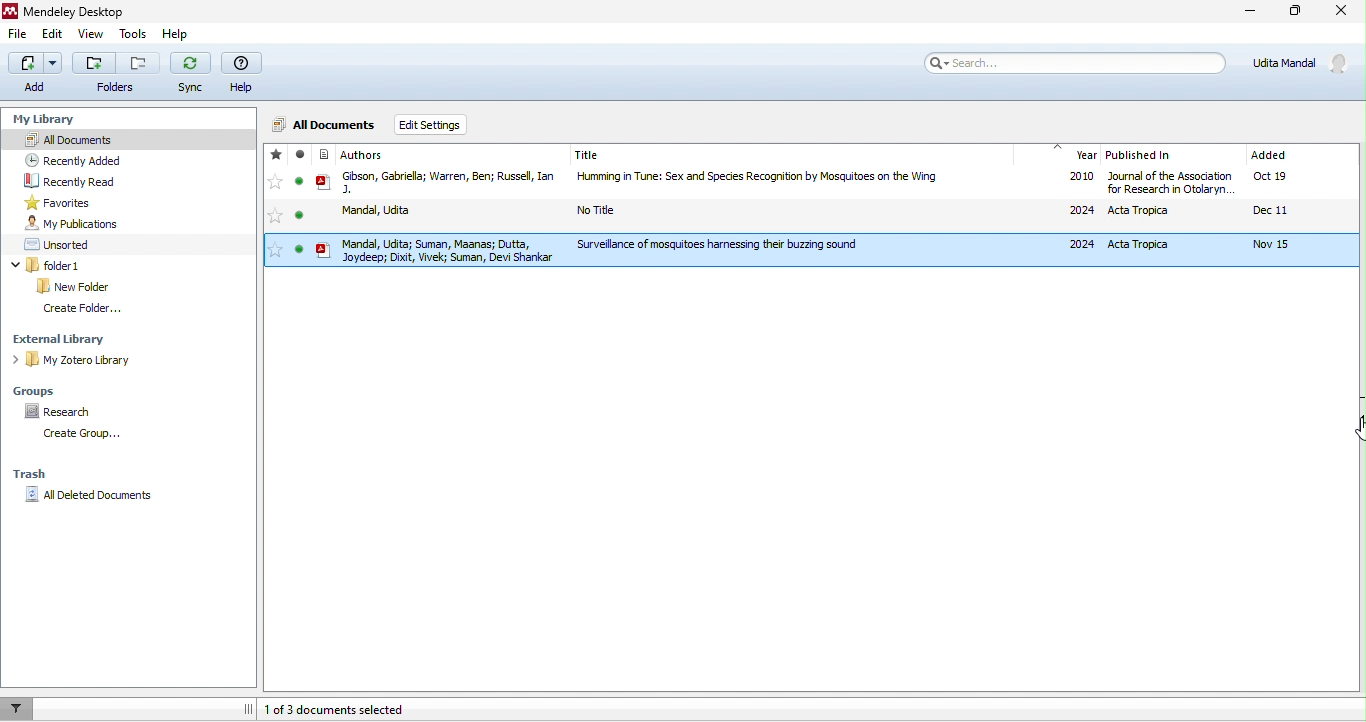 This screenshot has height=722, width=1366. What do you see at coordinates (795, 154) in the screenshot?
I see `2 Authors Title "Year Published In Added` at bounding box center [795, 154].